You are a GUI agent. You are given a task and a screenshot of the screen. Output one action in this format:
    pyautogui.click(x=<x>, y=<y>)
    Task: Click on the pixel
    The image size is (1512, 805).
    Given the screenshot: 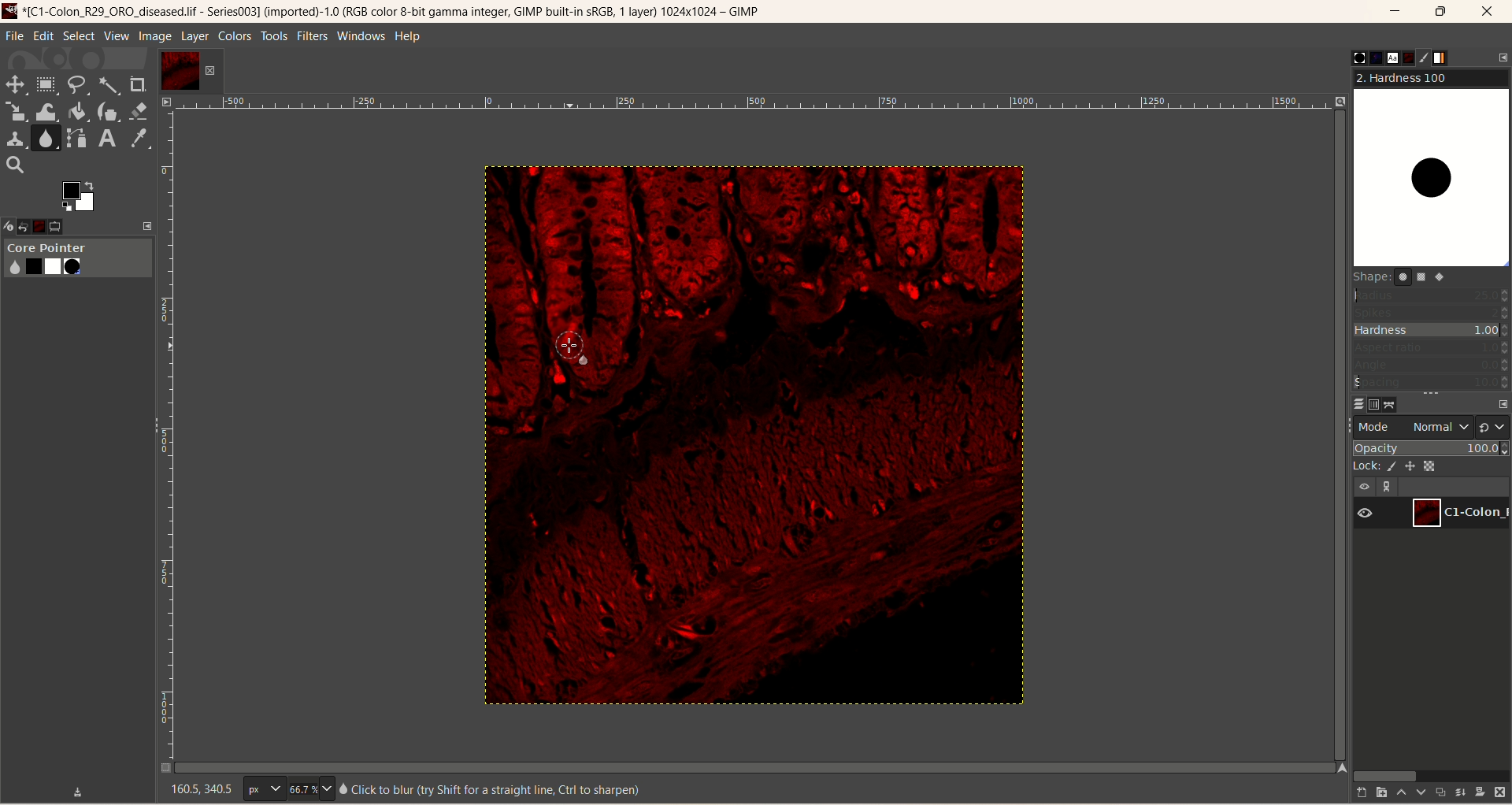 What is the action you would take?
    pyautogui.click(x=264, y=790)
    